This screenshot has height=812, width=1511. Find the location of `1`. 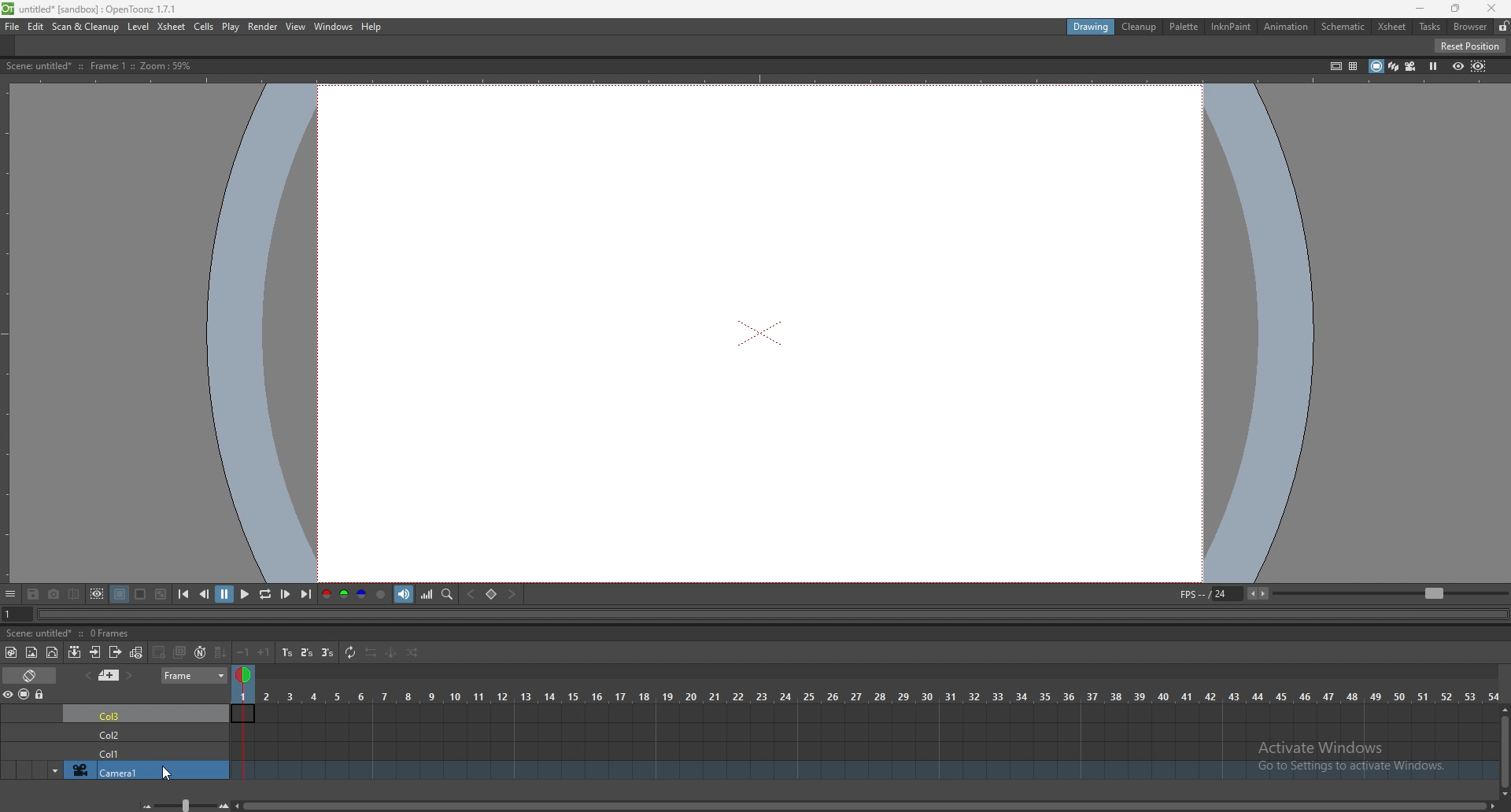

1 is located at coordinates (9, 615).